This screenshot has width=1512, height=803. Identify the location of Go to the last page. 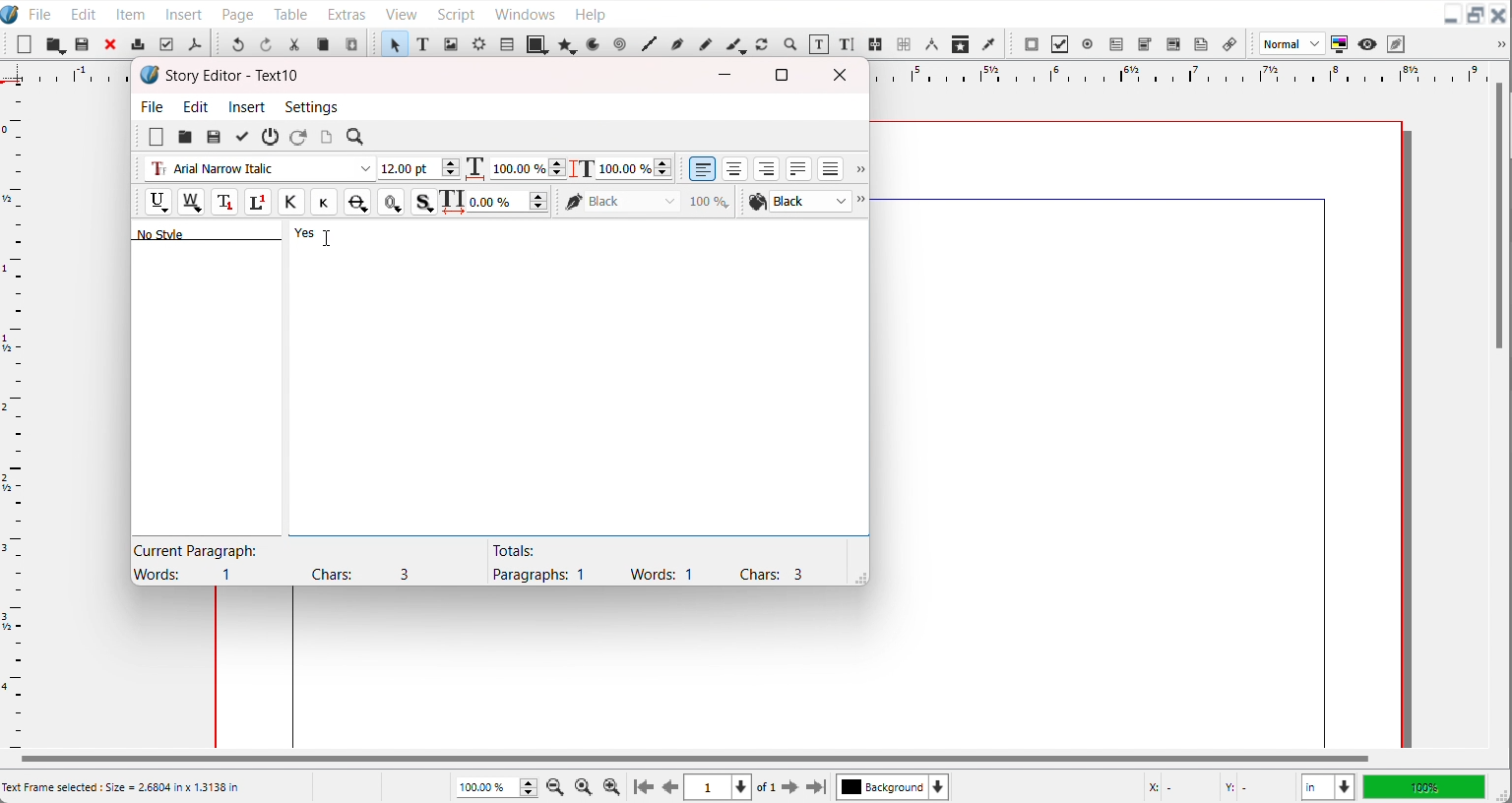
(816, 787).